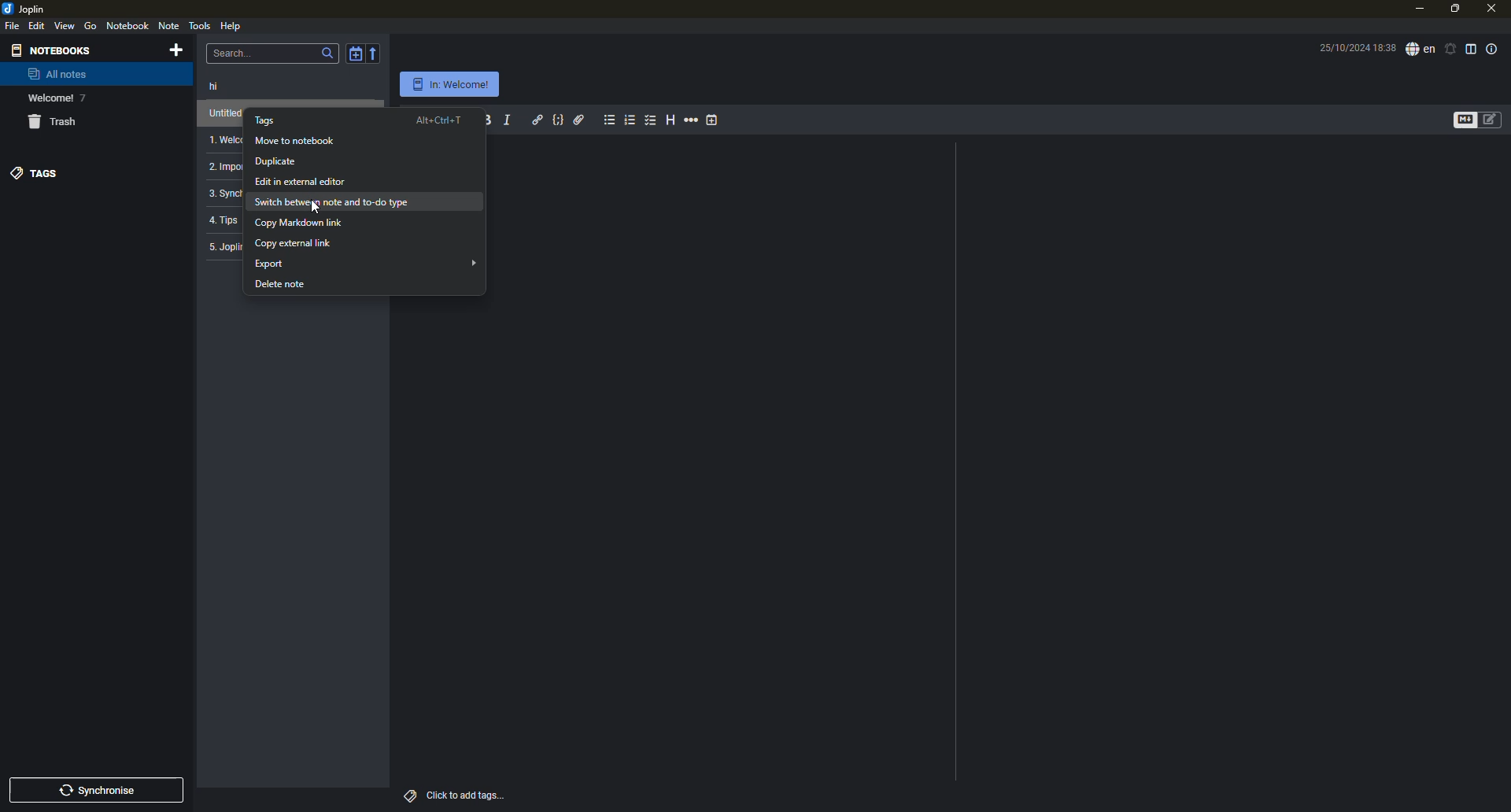 The width and height of the screenshot is (1511, 812). Describe the element at coordinates (411, 795) in the screenshot. I see `tags` at that location.